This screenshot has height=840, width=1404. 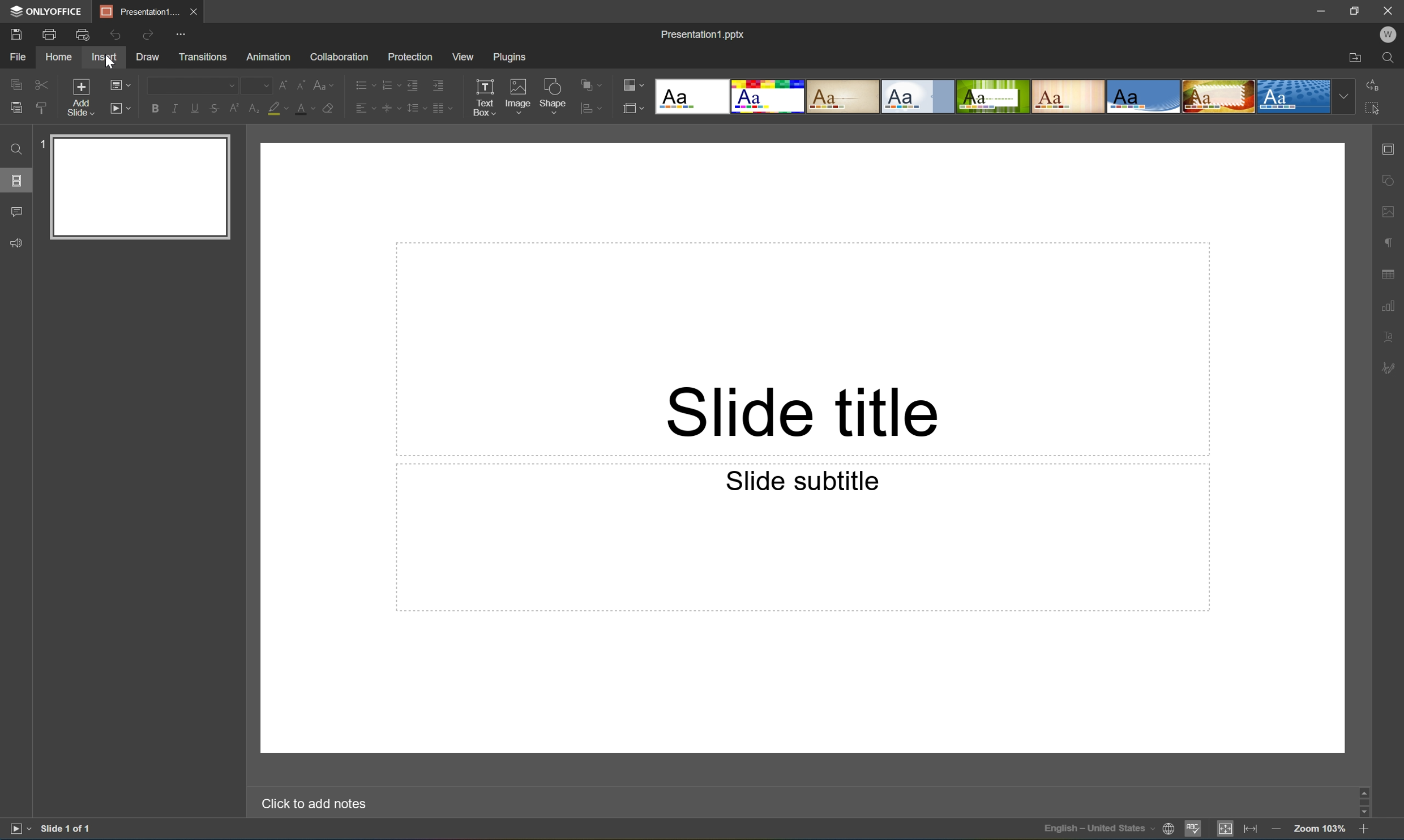 What do you see at coordinates (279, 83) in the screenshot?
I see `Increment font size` at bounding box center [279, 83].